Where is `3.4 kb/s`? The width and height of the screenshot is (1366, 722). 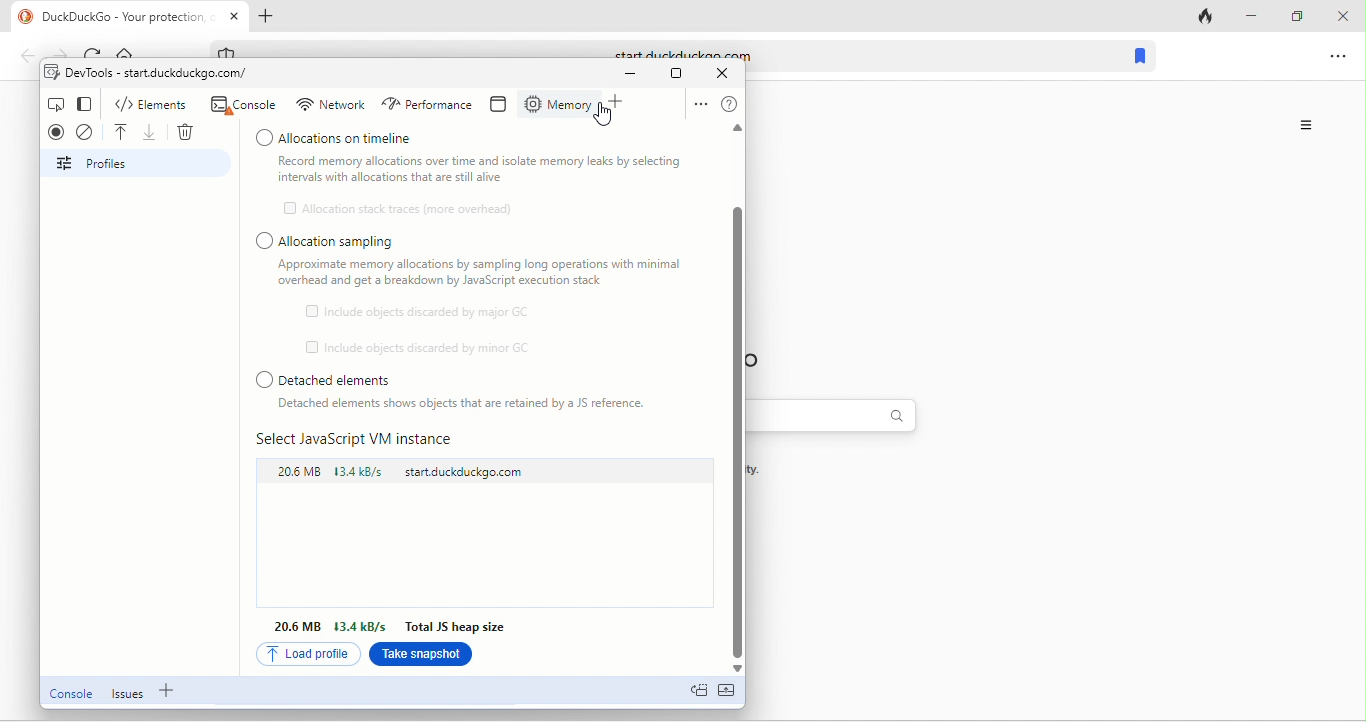
3.4 kb/s is located at coordinates (364, 473).